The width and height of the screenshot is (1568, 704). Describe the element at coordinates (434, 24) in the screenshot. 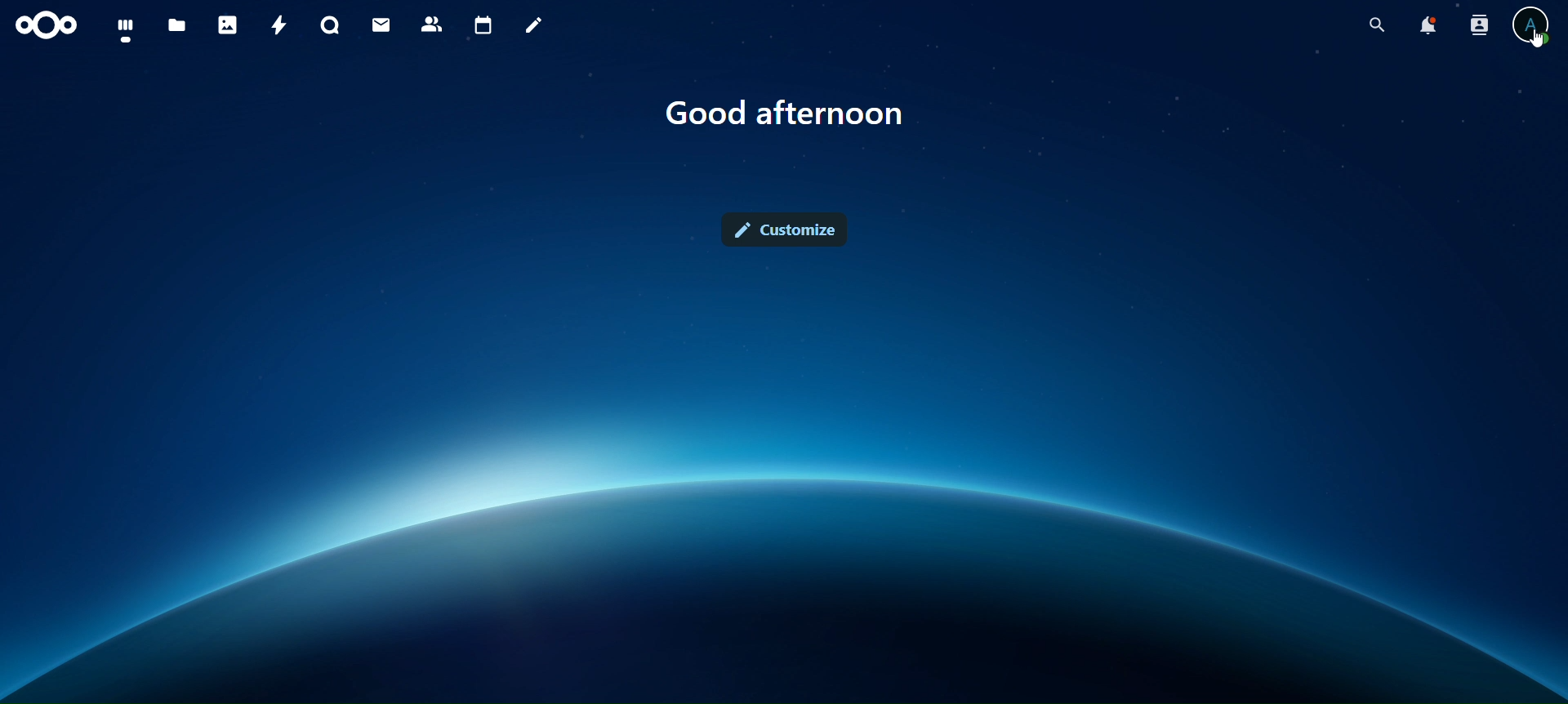

I see `contacts` at that location.